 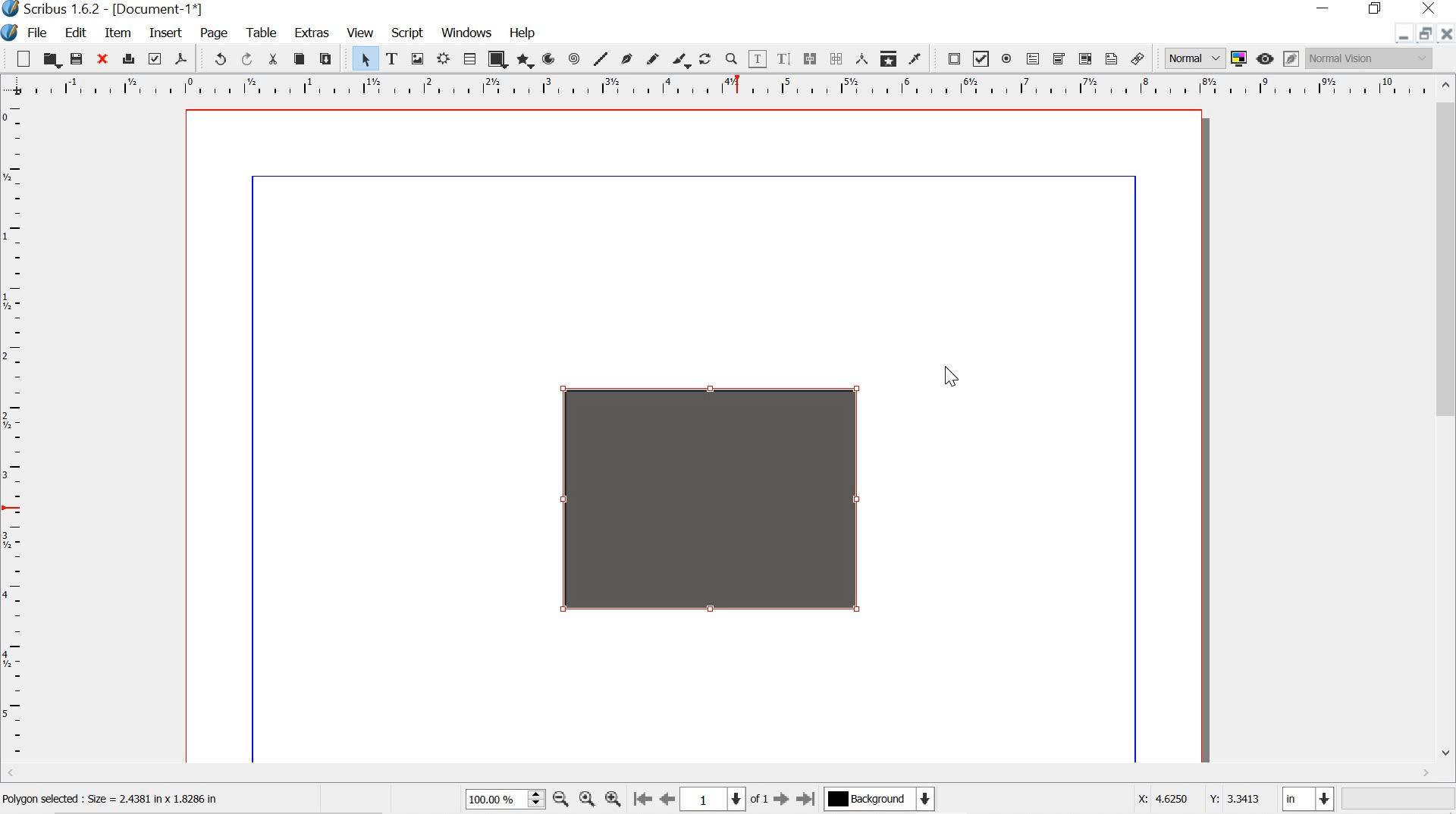 What do you see at coordinates (70, 32) in the screenshot?
I see `edit` at bounding box center [70, 32].